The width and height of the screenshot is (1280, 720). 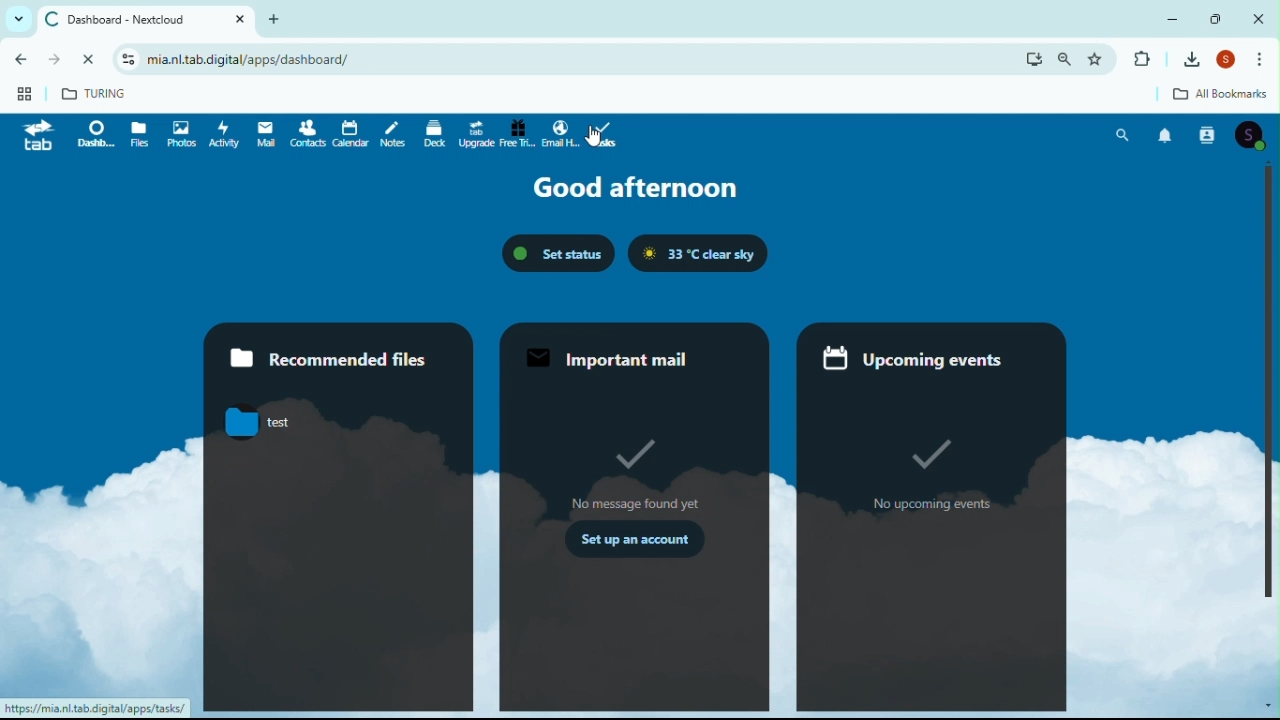 I want to click on Good afternoon, so click(x=630, y=188).